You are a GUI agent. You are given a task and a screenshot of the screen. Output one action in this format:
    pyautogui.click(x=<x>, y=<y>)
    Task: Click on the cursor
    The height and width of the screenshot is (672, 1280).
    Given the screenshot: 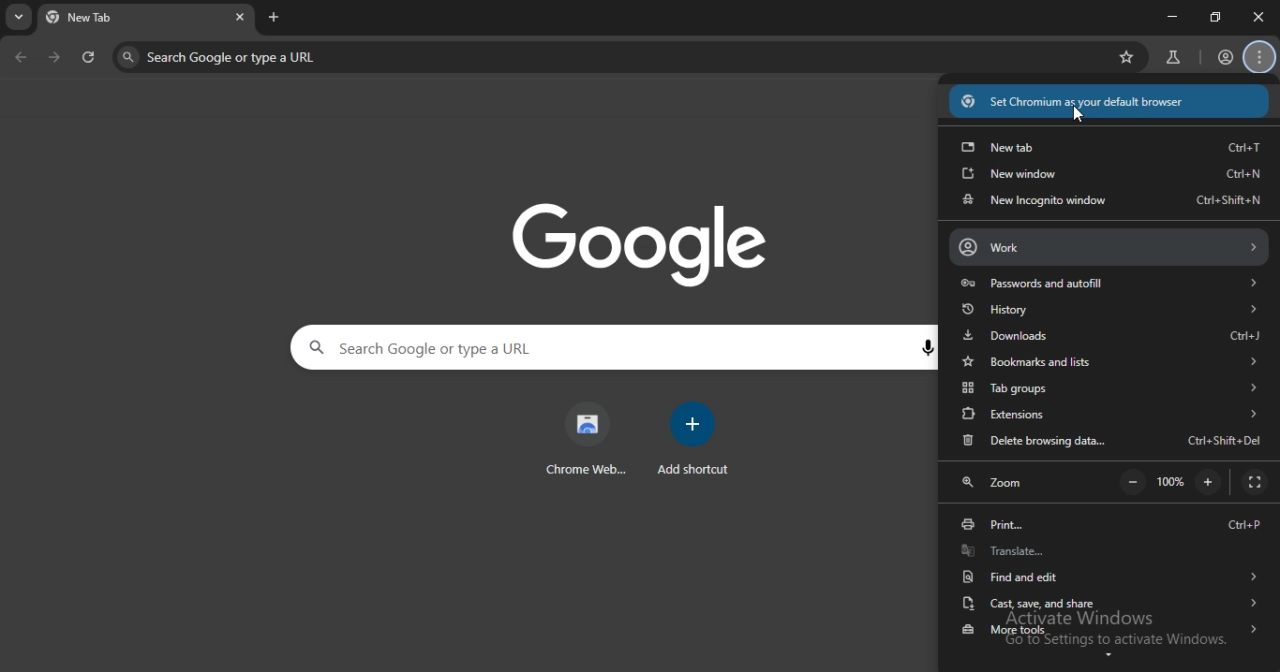 What is the action you would take?
    pyautogui.click(x=1073, y=116)
    